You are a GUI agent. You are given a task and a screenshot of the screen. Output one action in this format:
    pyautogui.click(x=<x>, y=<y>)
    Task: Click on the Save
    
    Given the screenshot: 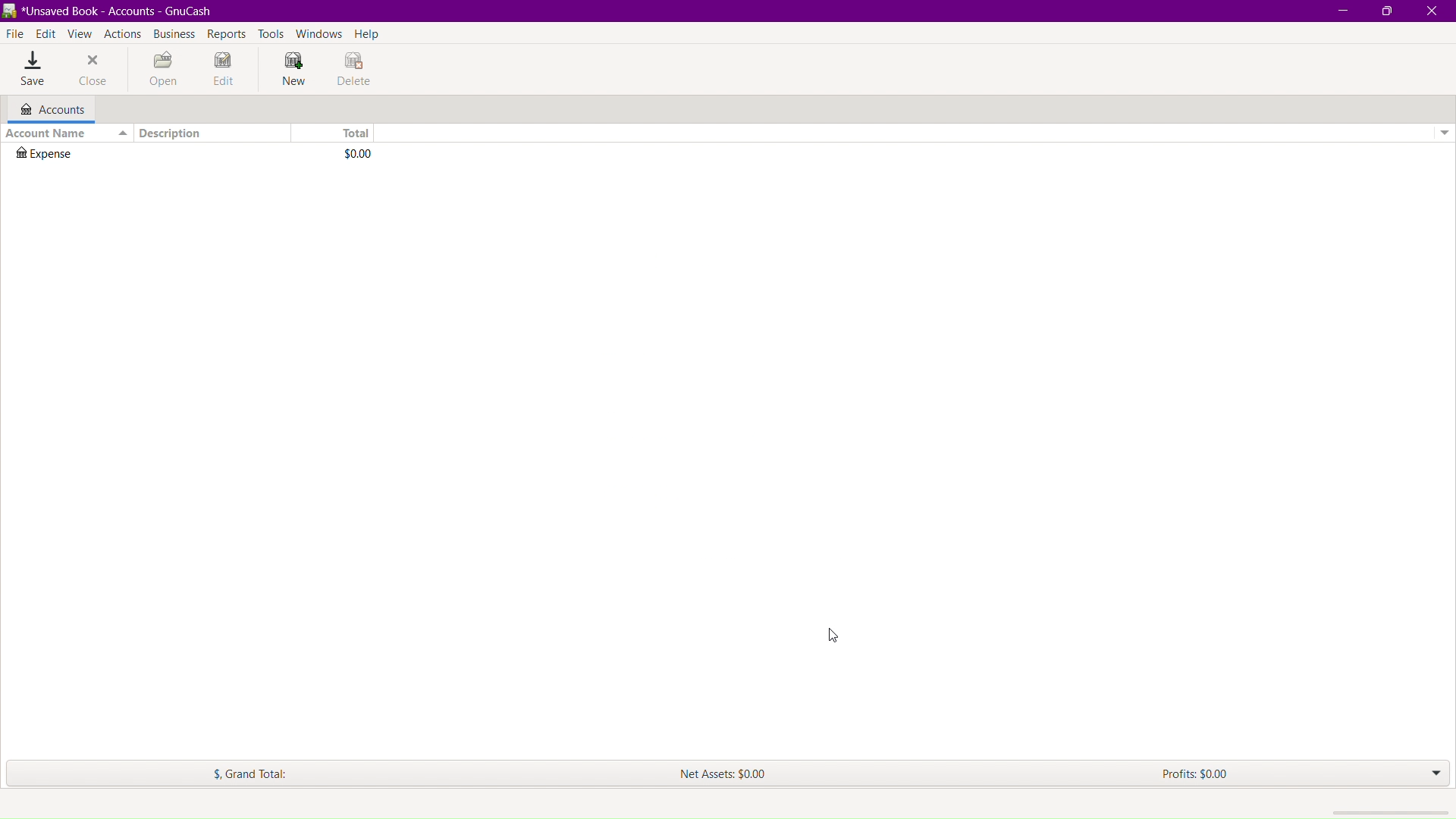 What is the action you would take?
    pyautogui.click(x=31, y=67)
    